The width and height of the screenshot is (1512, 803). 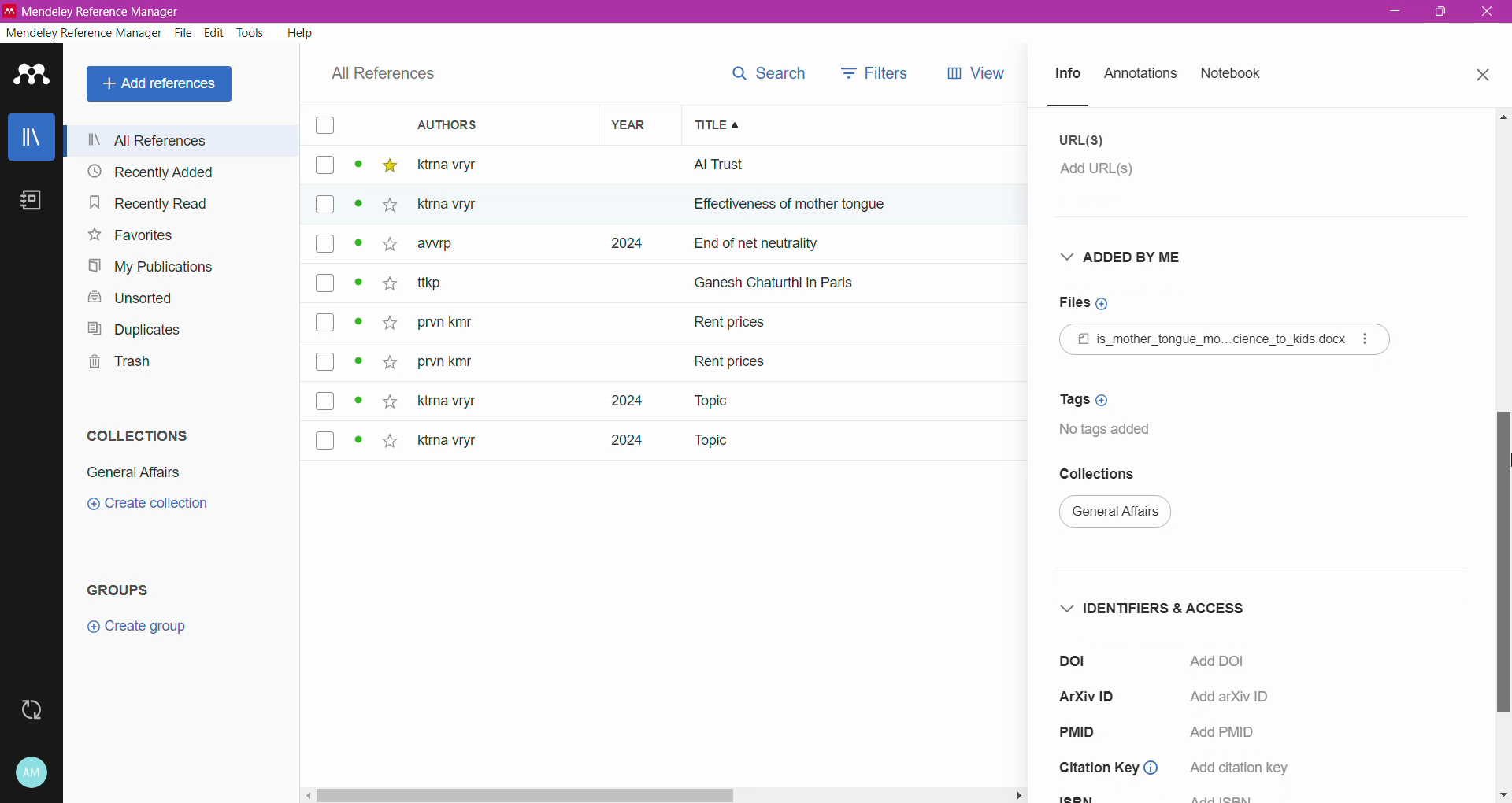 I want to click on Vertical Scroll Bar dragged to final position, so click(x=1503, y=455).